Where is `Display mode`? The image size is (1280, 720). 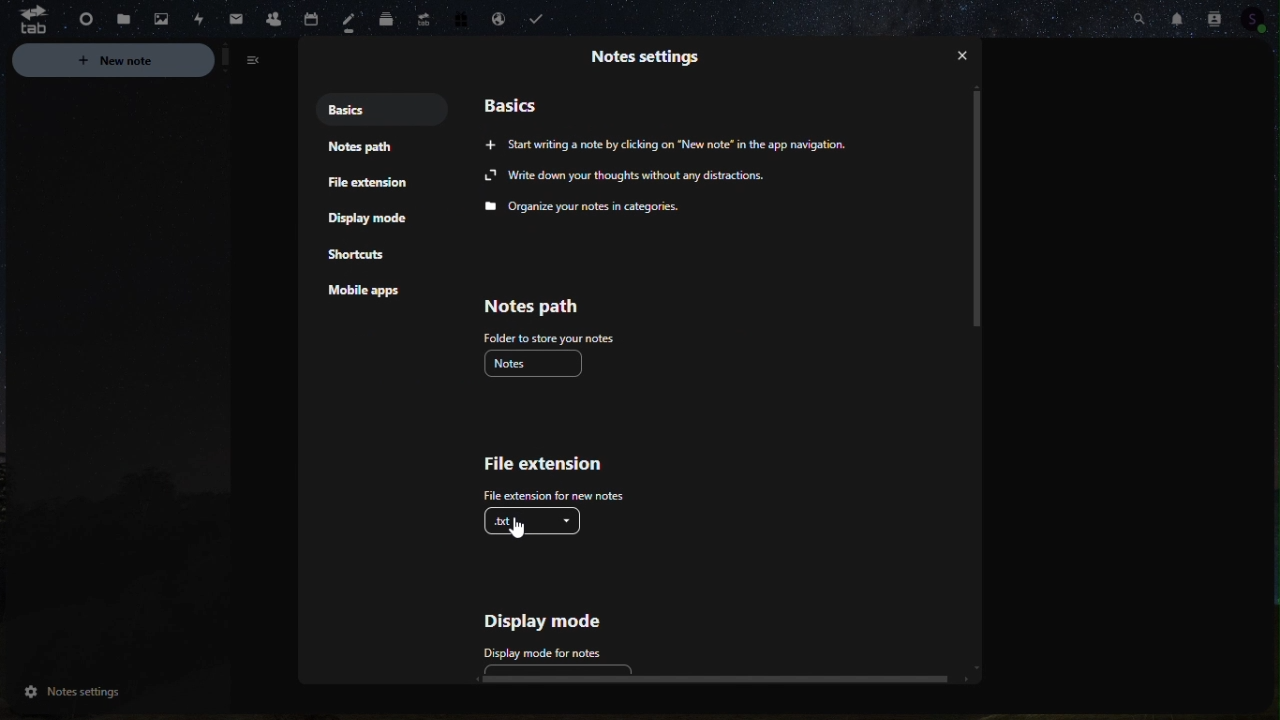 Display mode is located at coordinates (570, 621).